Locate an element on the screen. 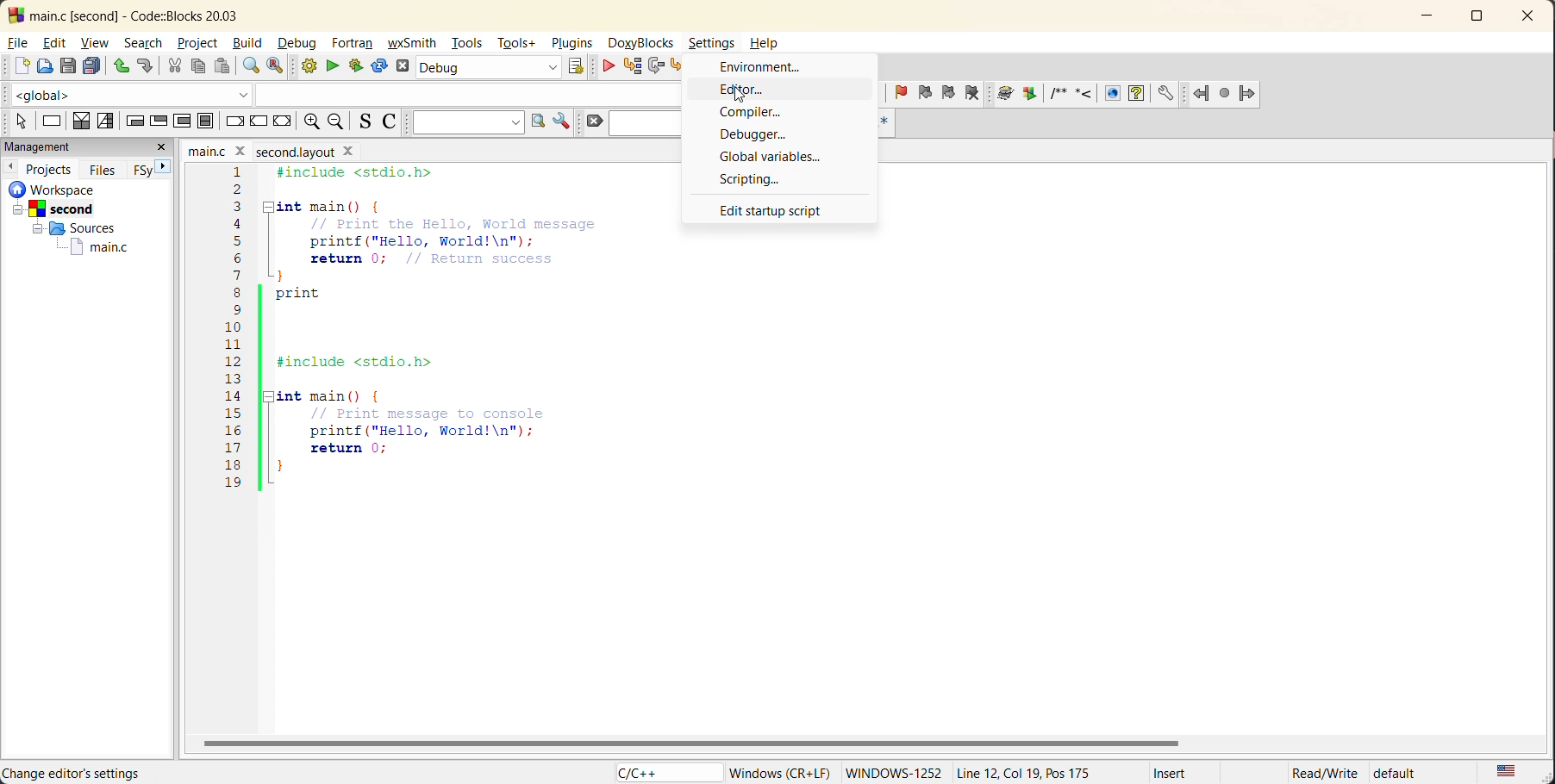 The image size is (1555, 784). Insert is located at coordinates (1172, 773).